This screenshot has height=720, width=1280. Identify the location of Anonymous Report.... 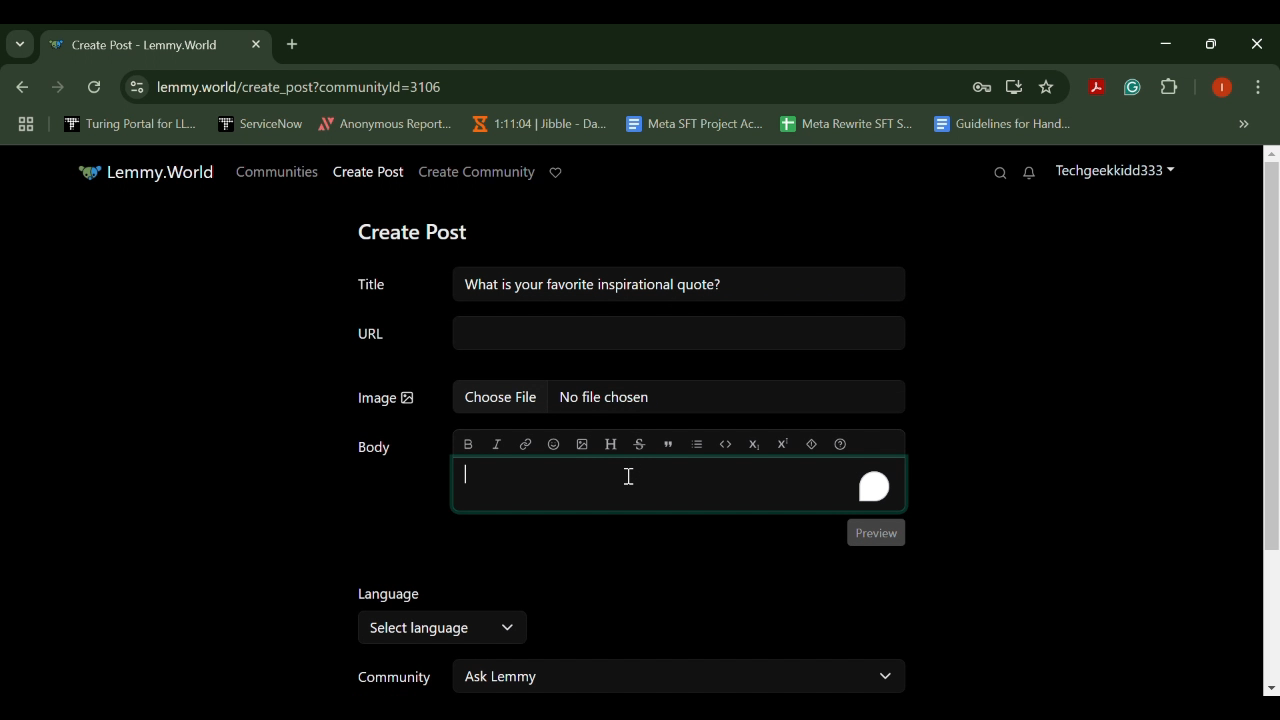
(386, 123).